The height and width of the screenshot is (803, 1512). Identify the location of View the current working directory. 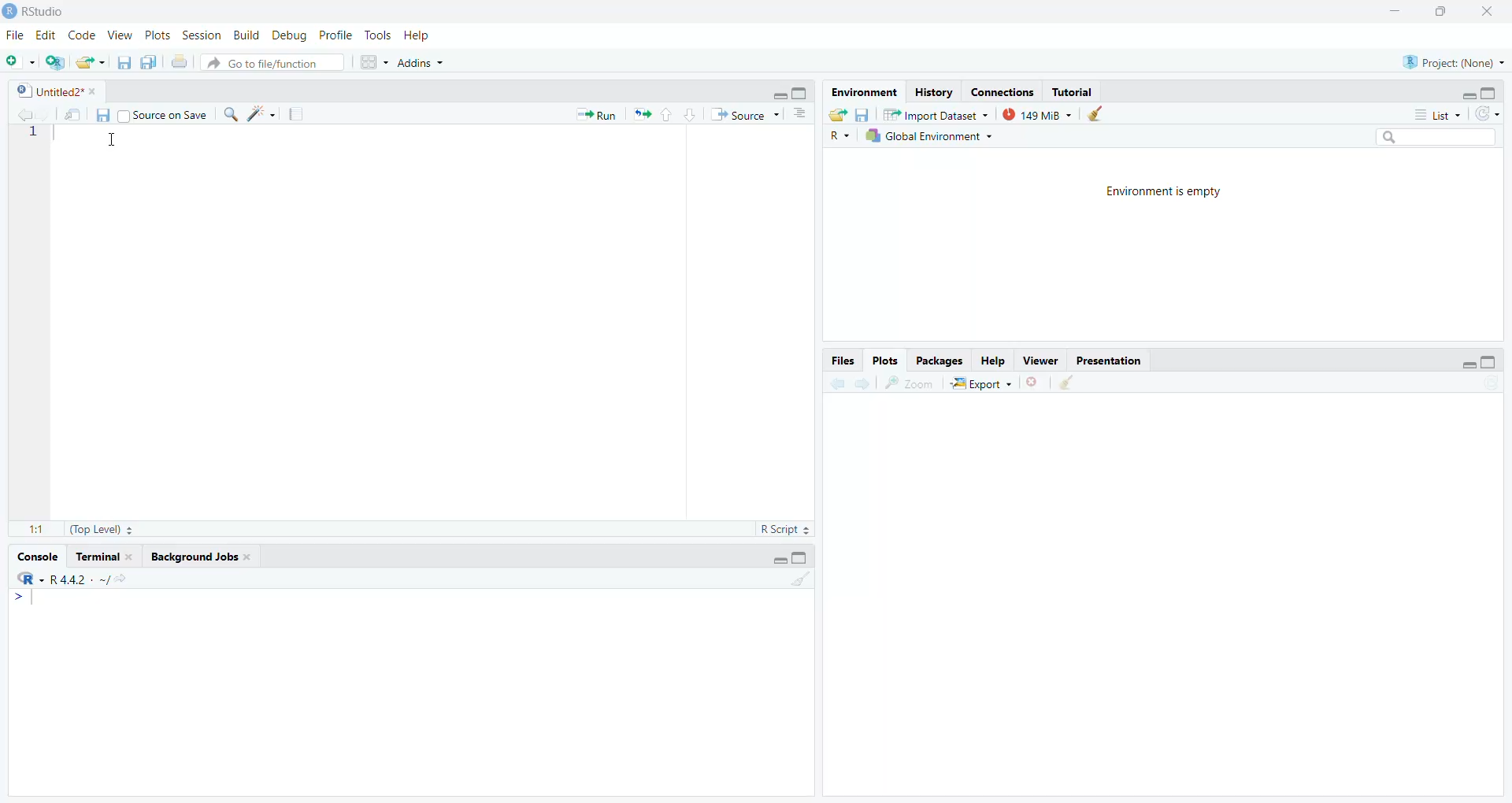
(122, 579).